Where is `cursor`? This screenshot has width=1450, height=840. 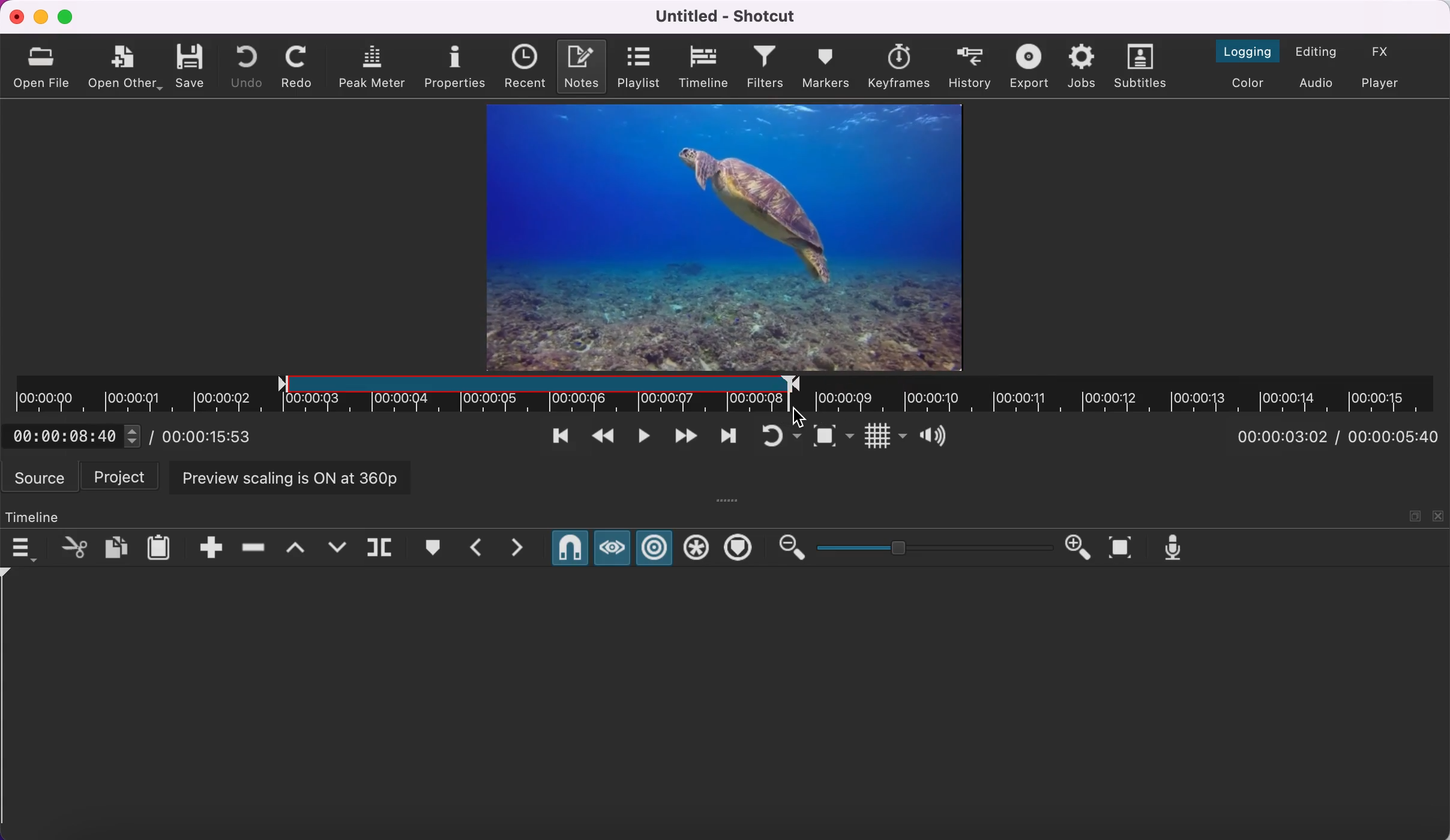 cursor is located at coordinates (802, 418).